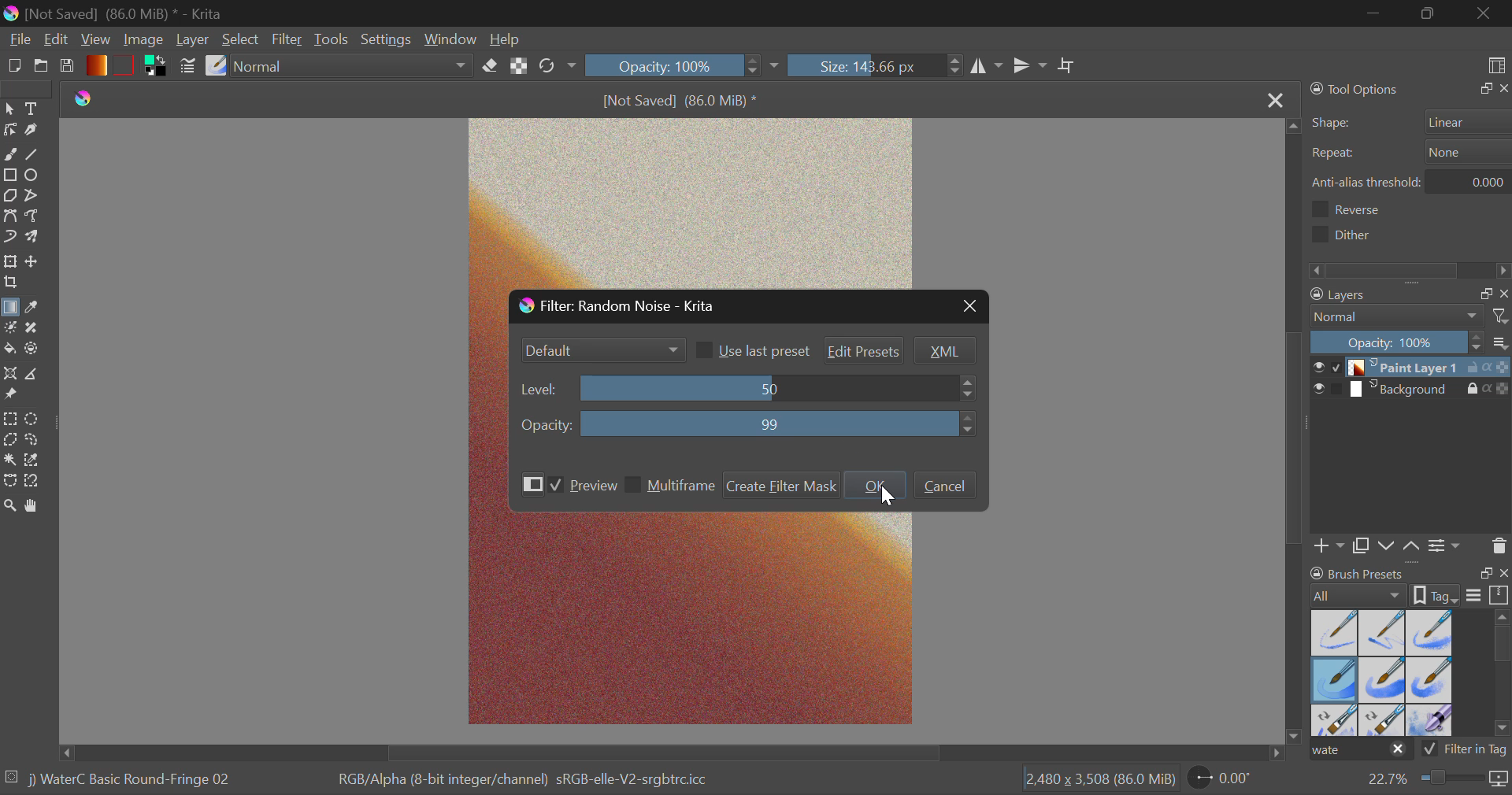 This screenshot has height=795, width=1512. I want to click on Settings, so click(387, 39).